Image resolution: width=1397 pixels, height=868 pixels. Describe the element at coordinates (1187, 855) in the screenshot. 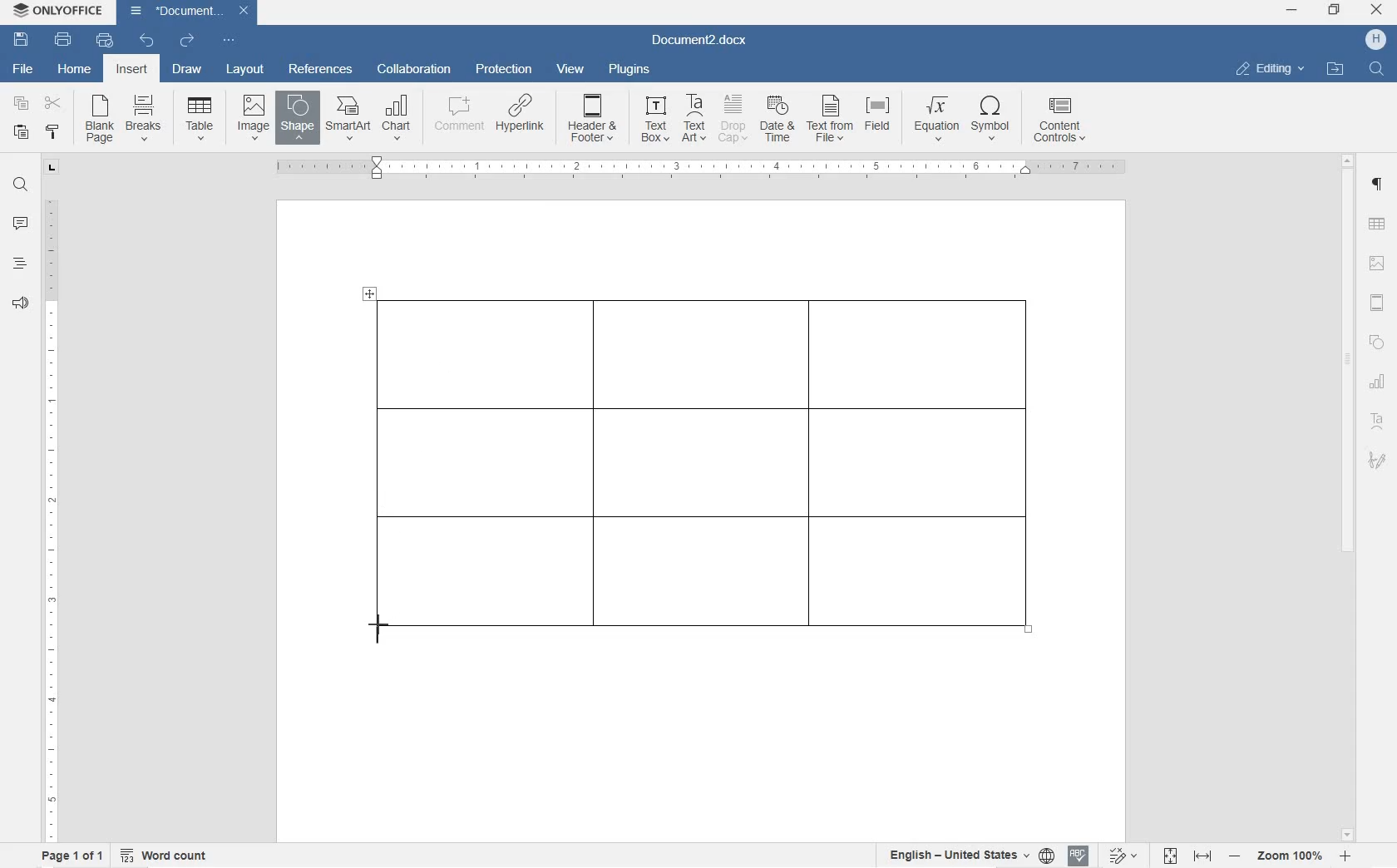

I see `fit to page or width` at that location.